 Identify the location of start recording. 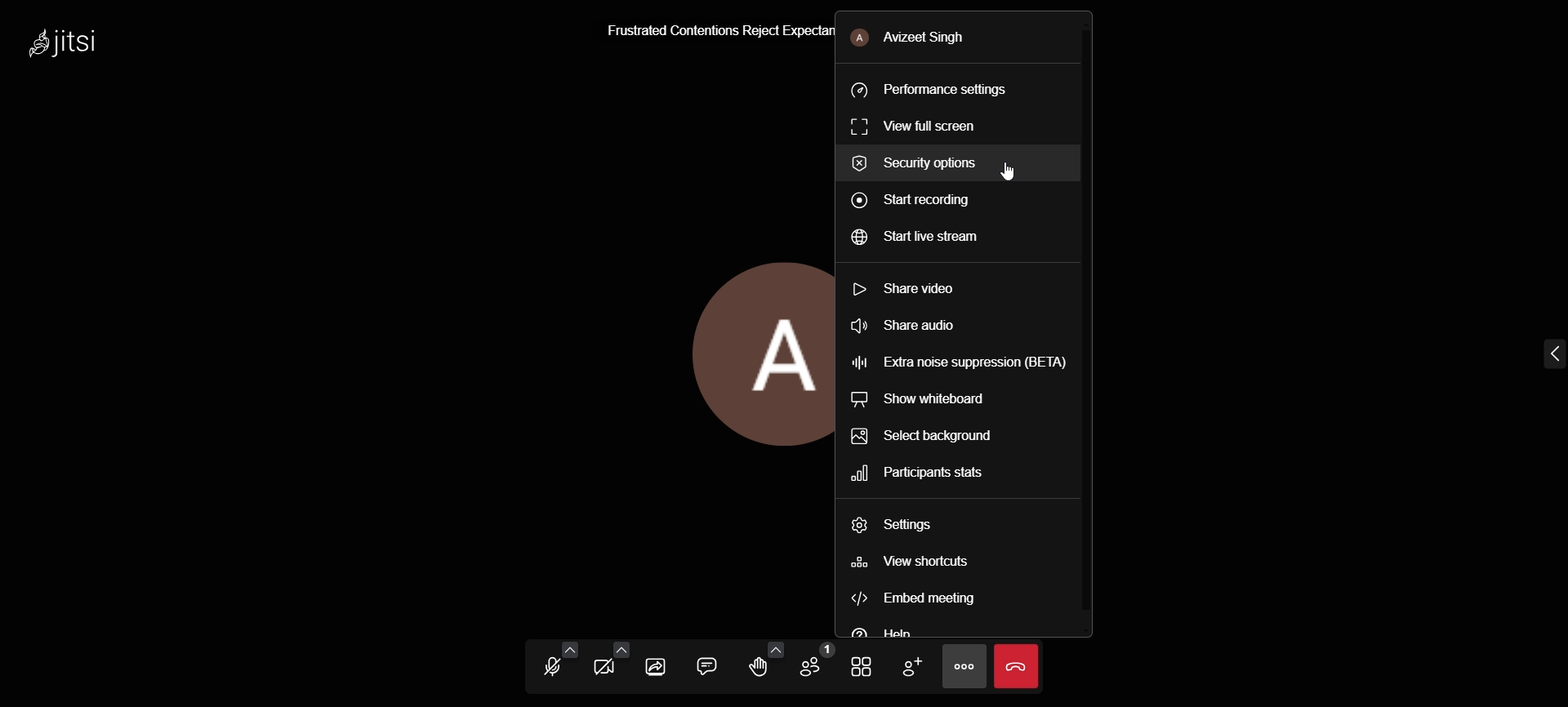
(915, 199).